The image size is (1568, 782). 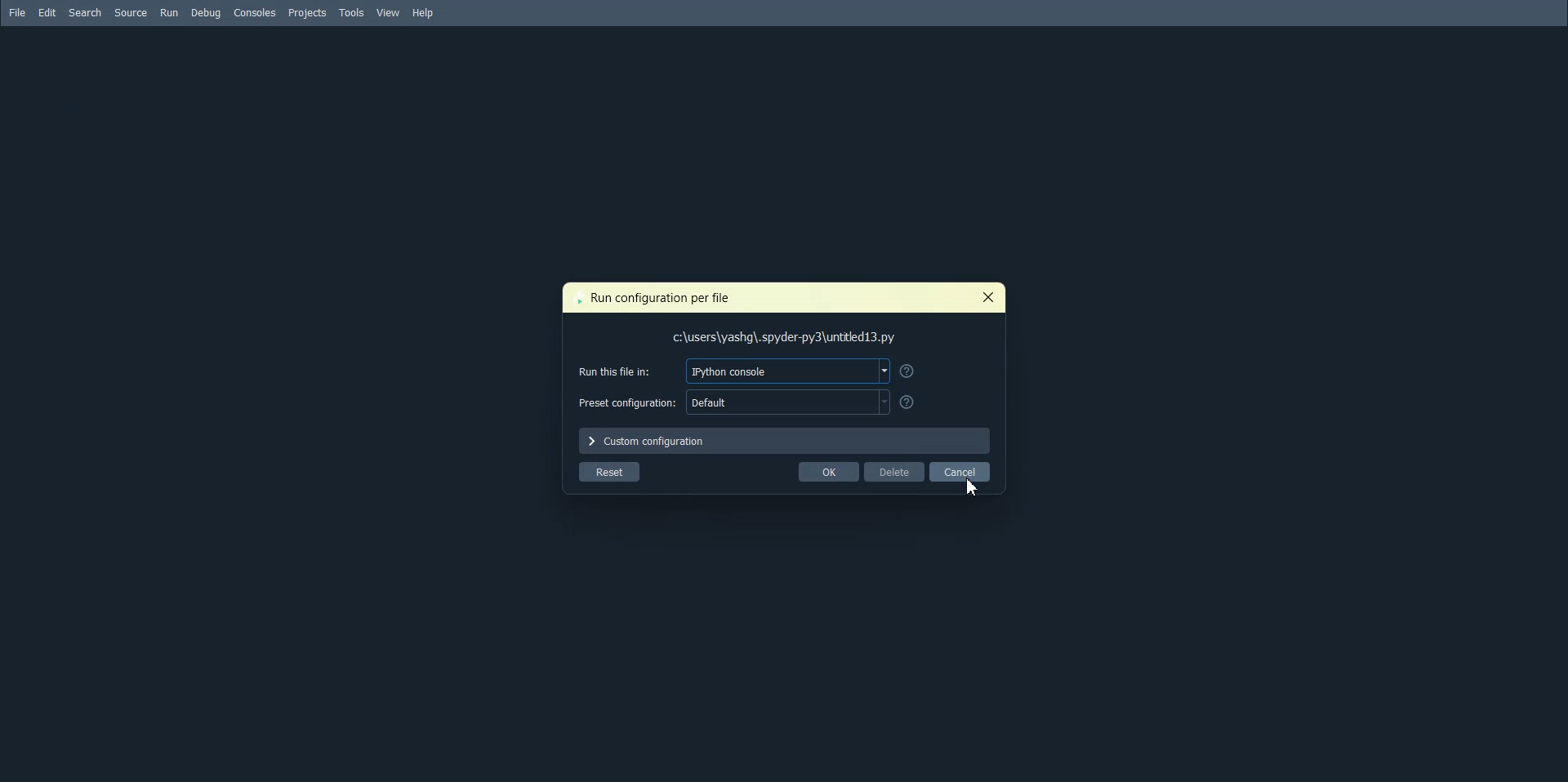 I want to click on Delete, so click(x=894, y=471).